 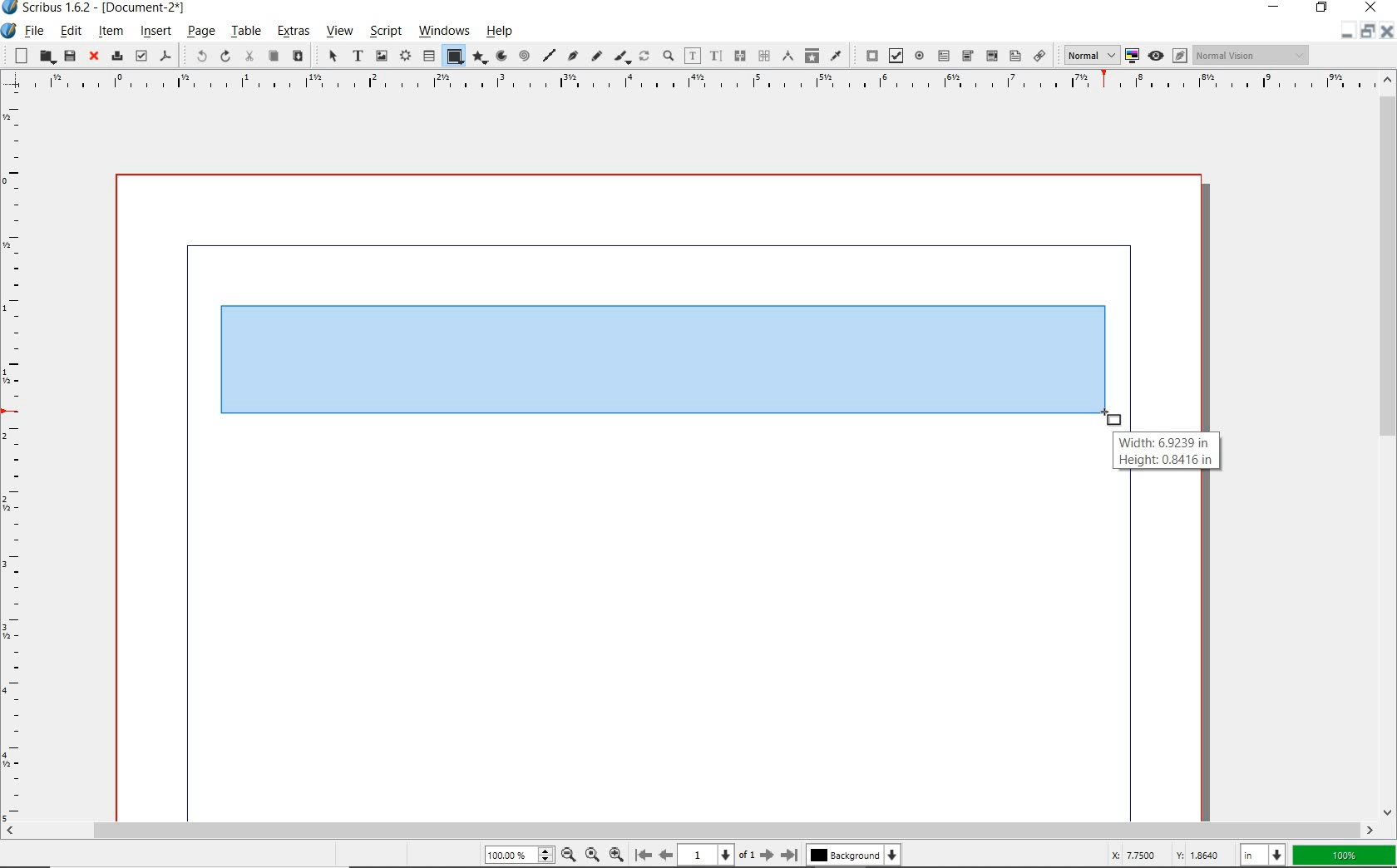 I want to click on save, so click(x=70, y=56).